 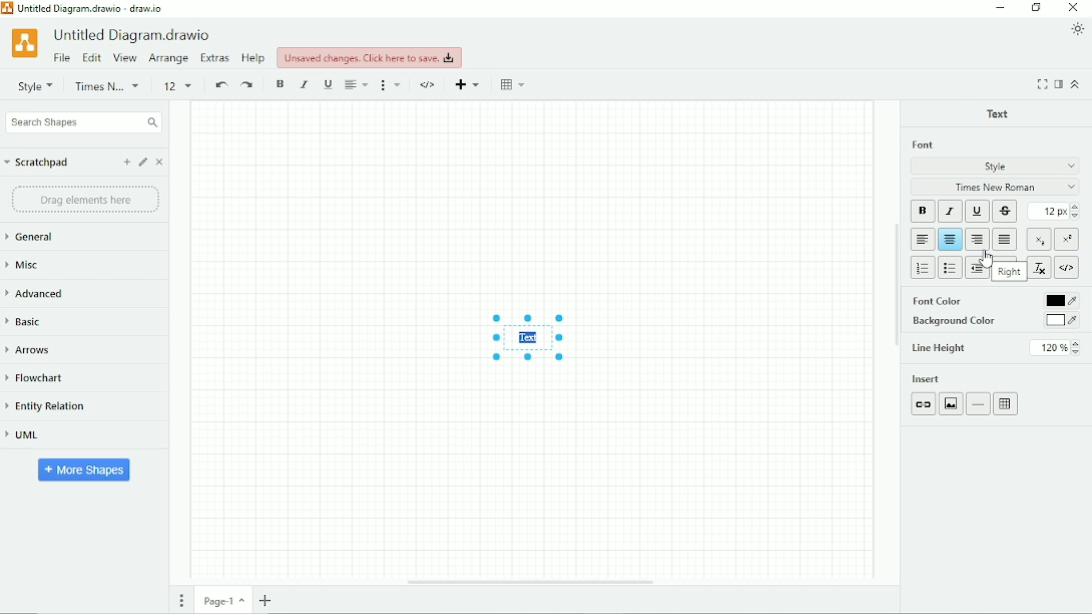 I want to click on Underline, so click(x=977, y=212).